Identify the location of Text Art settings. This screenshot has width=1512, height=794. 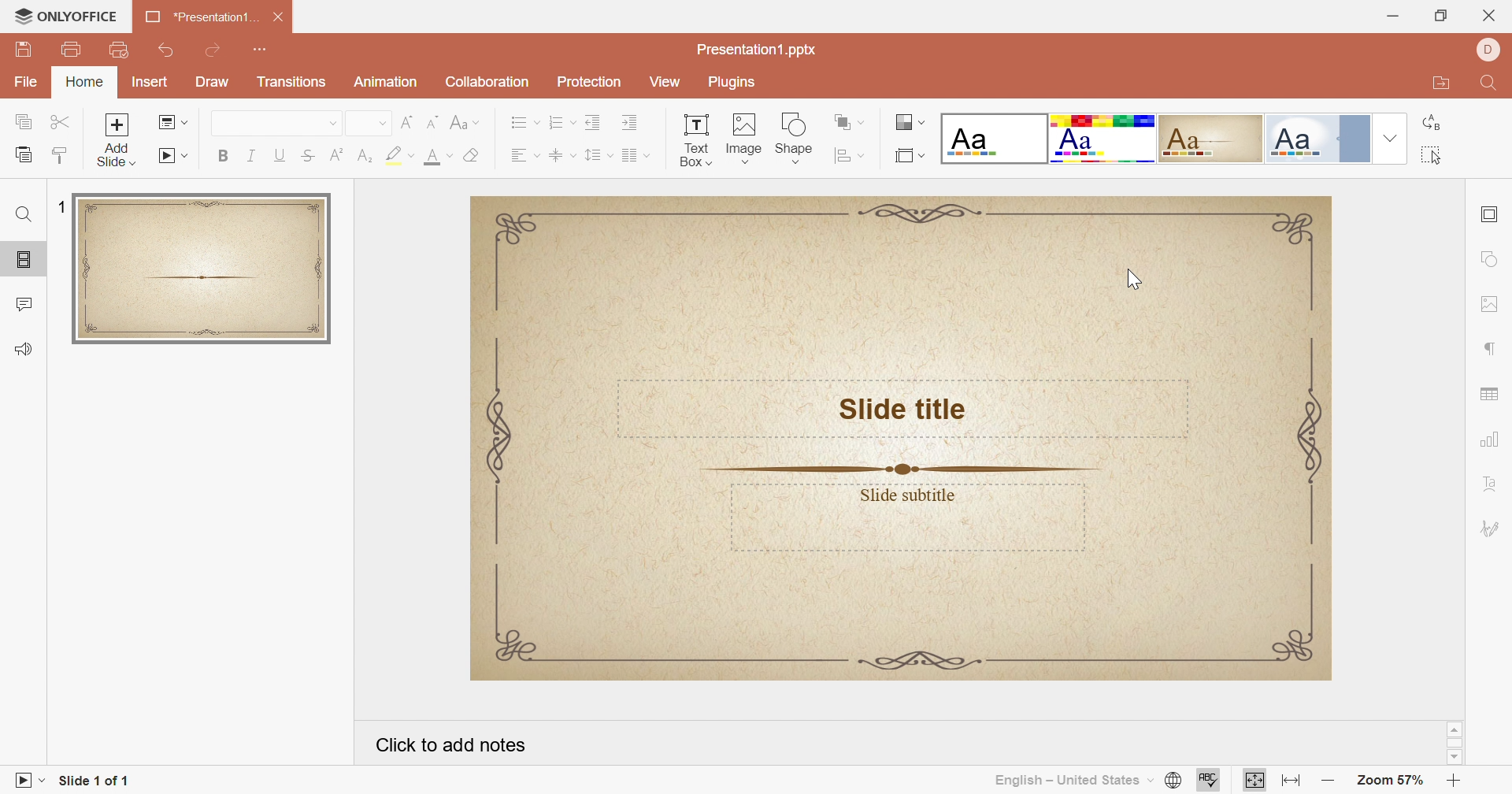
(1495, 481).